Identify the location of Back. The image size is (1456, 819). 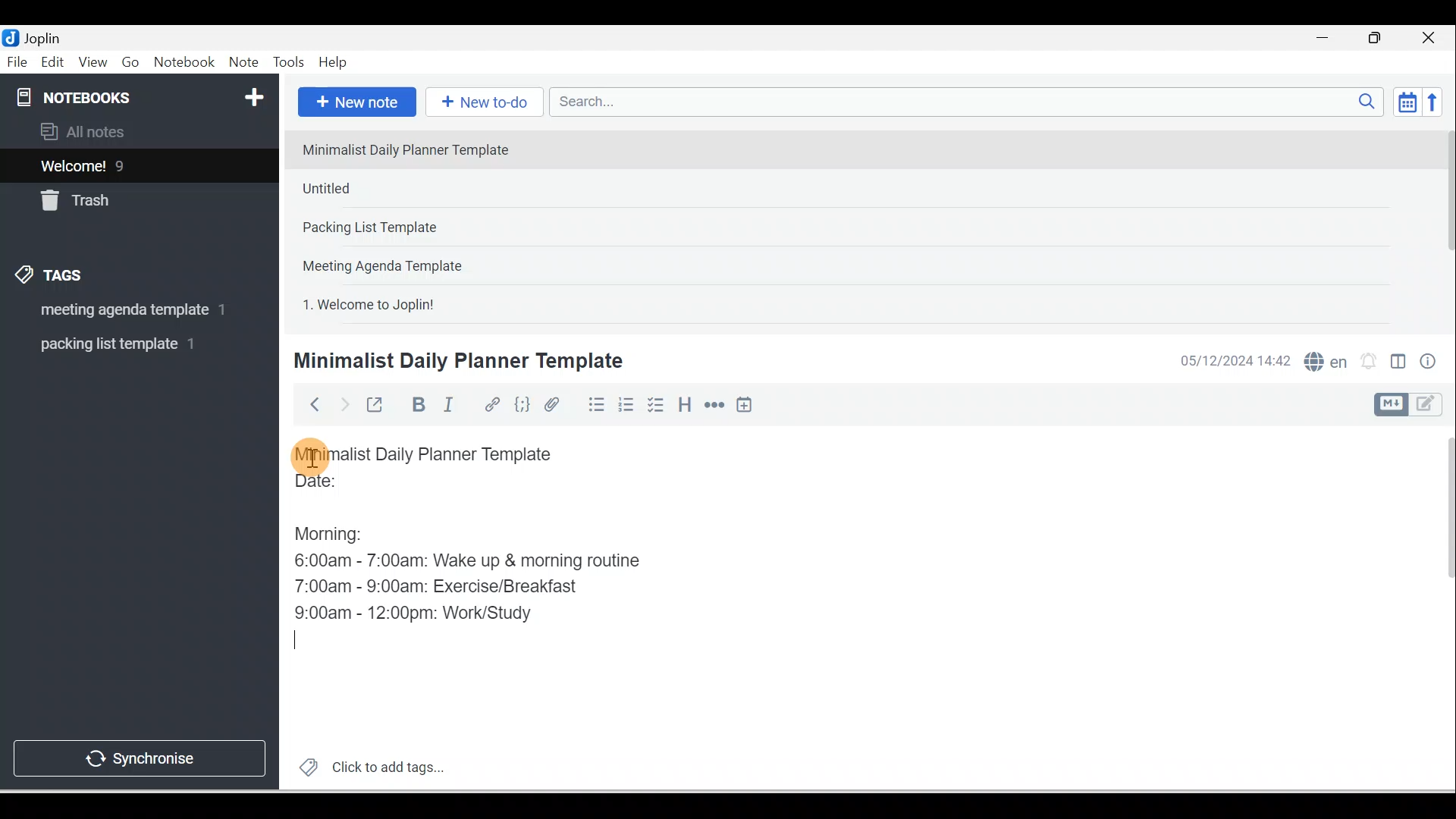
(308, 404).